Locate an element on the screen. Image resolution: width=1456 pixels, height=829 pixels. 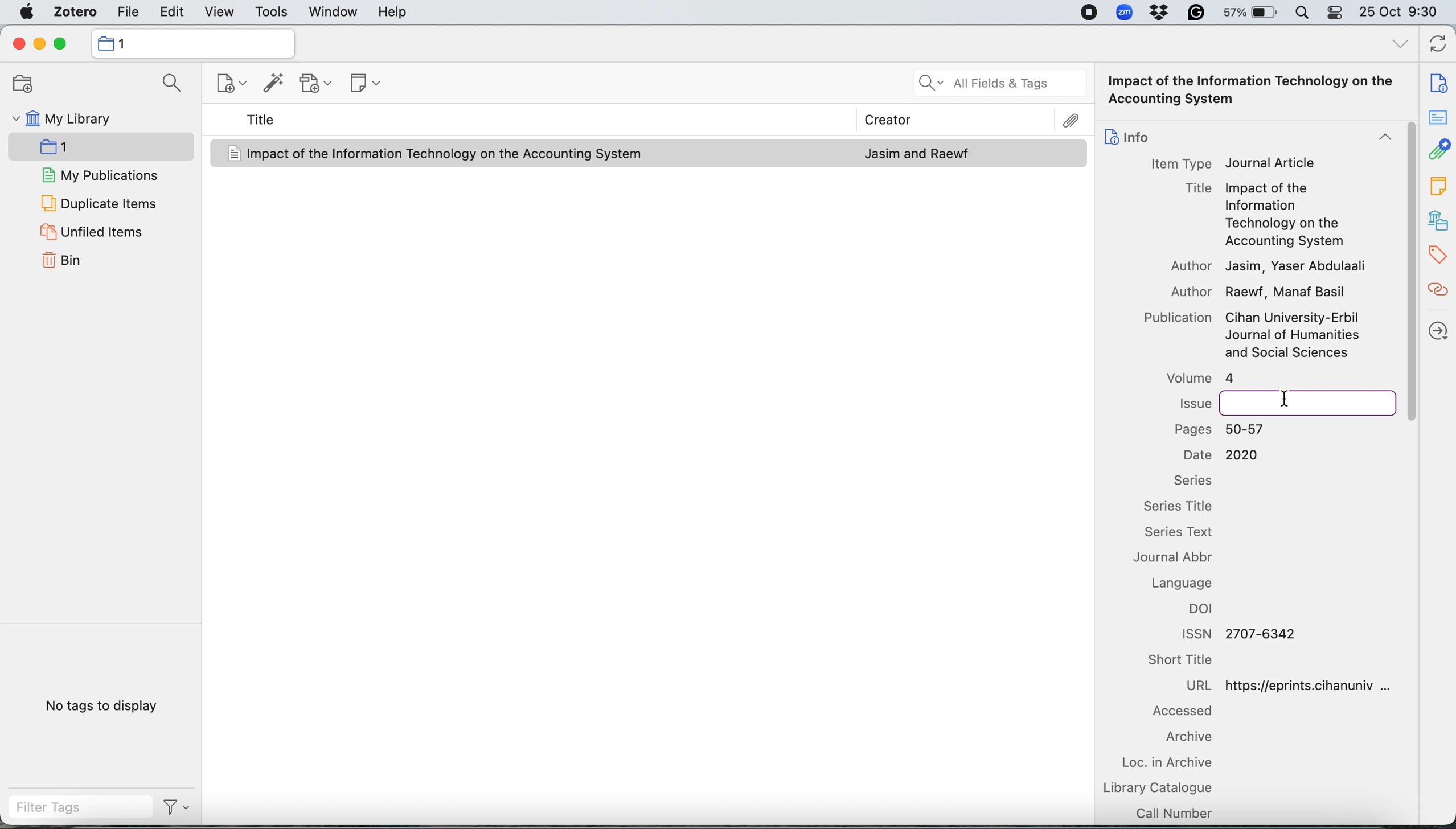
date 2020 is located at coordinates (1221, 455).